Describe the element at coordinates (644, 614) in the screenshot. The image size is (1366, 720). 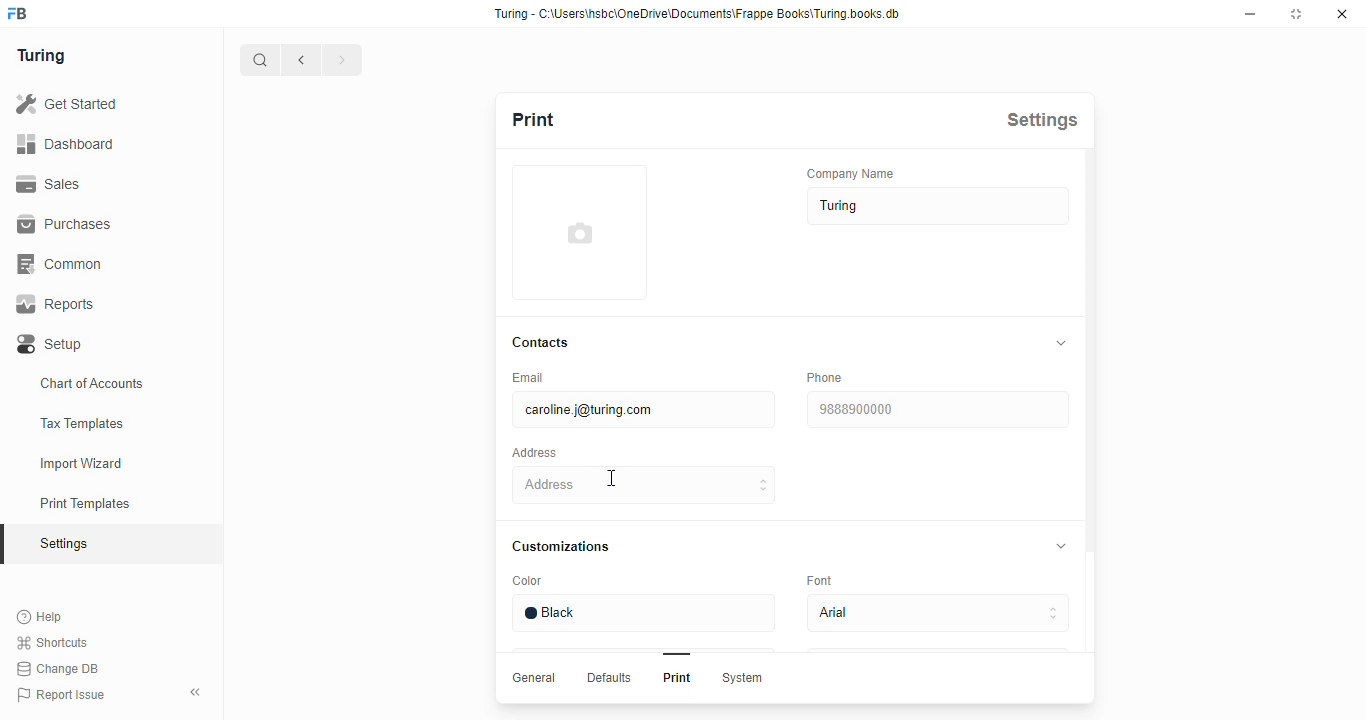
I see `black` at that location.